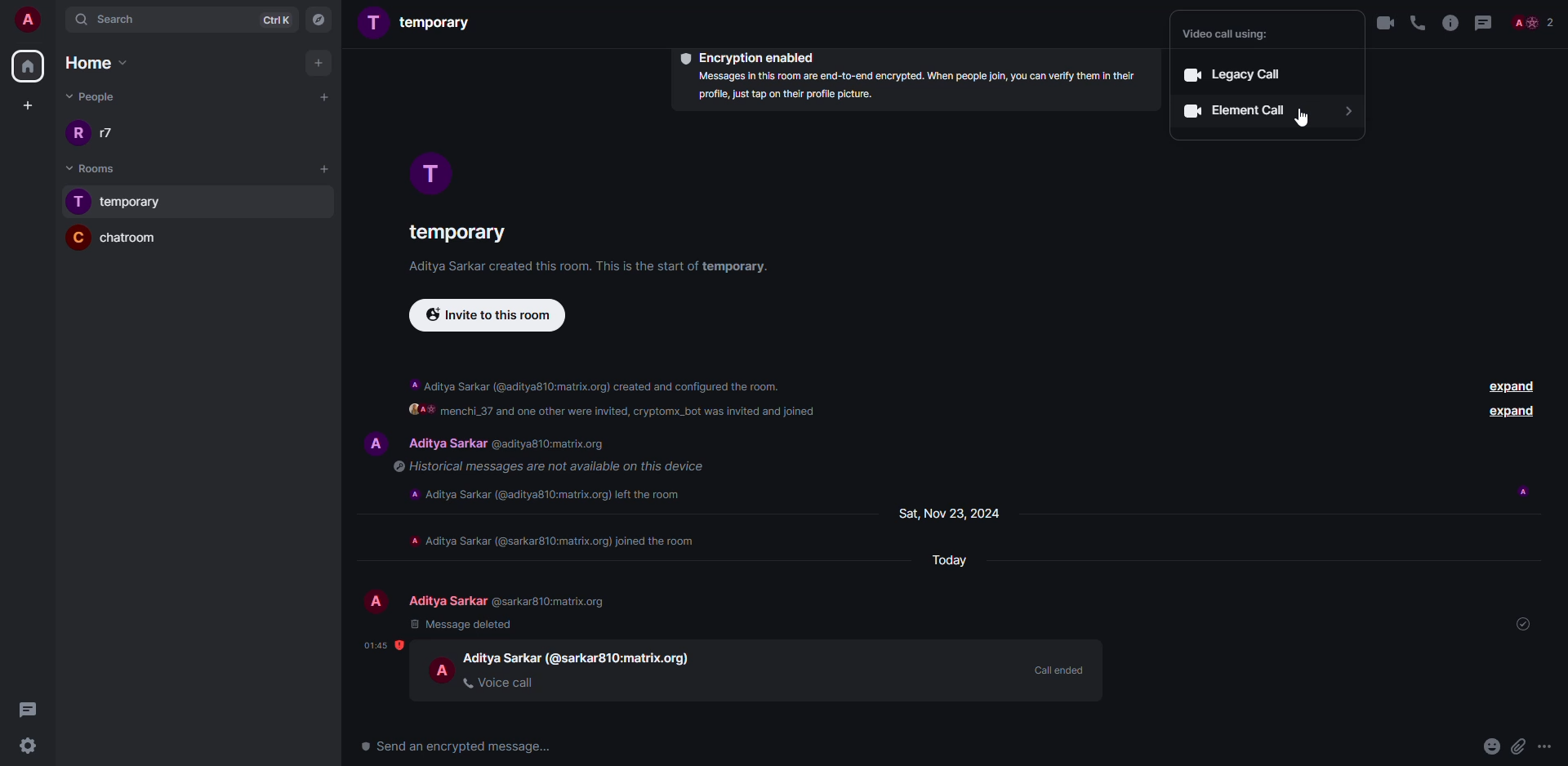 This screenshot has width=1568, height=766. What do you see at coordinates (78, 202) in the screenshot?
I see `profile` at bounding box center [78, 202].